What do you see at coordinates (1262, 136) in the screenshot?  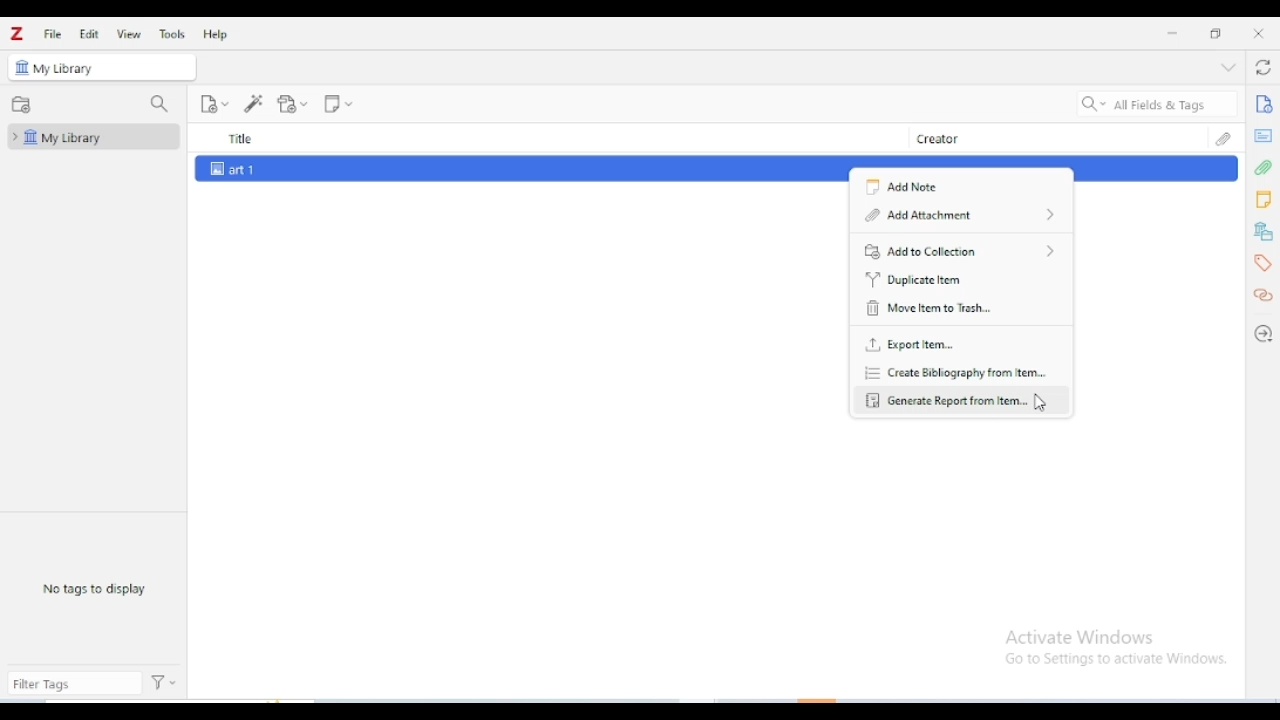 I see `abstract` at bounding box center [1262, 136].